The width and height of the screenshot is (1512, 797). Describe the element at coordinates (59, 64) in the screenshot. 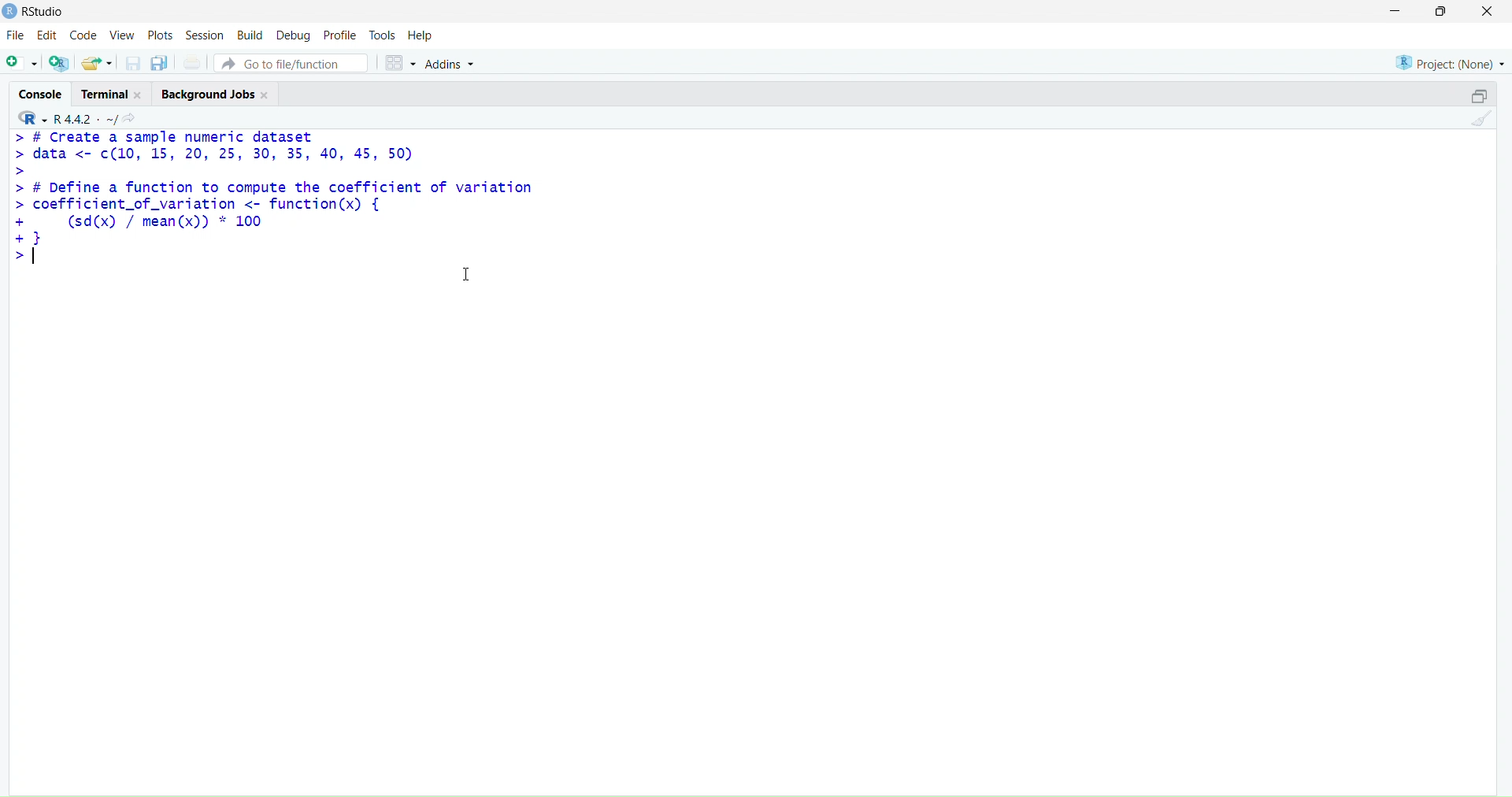

I see `add R file` at that location.